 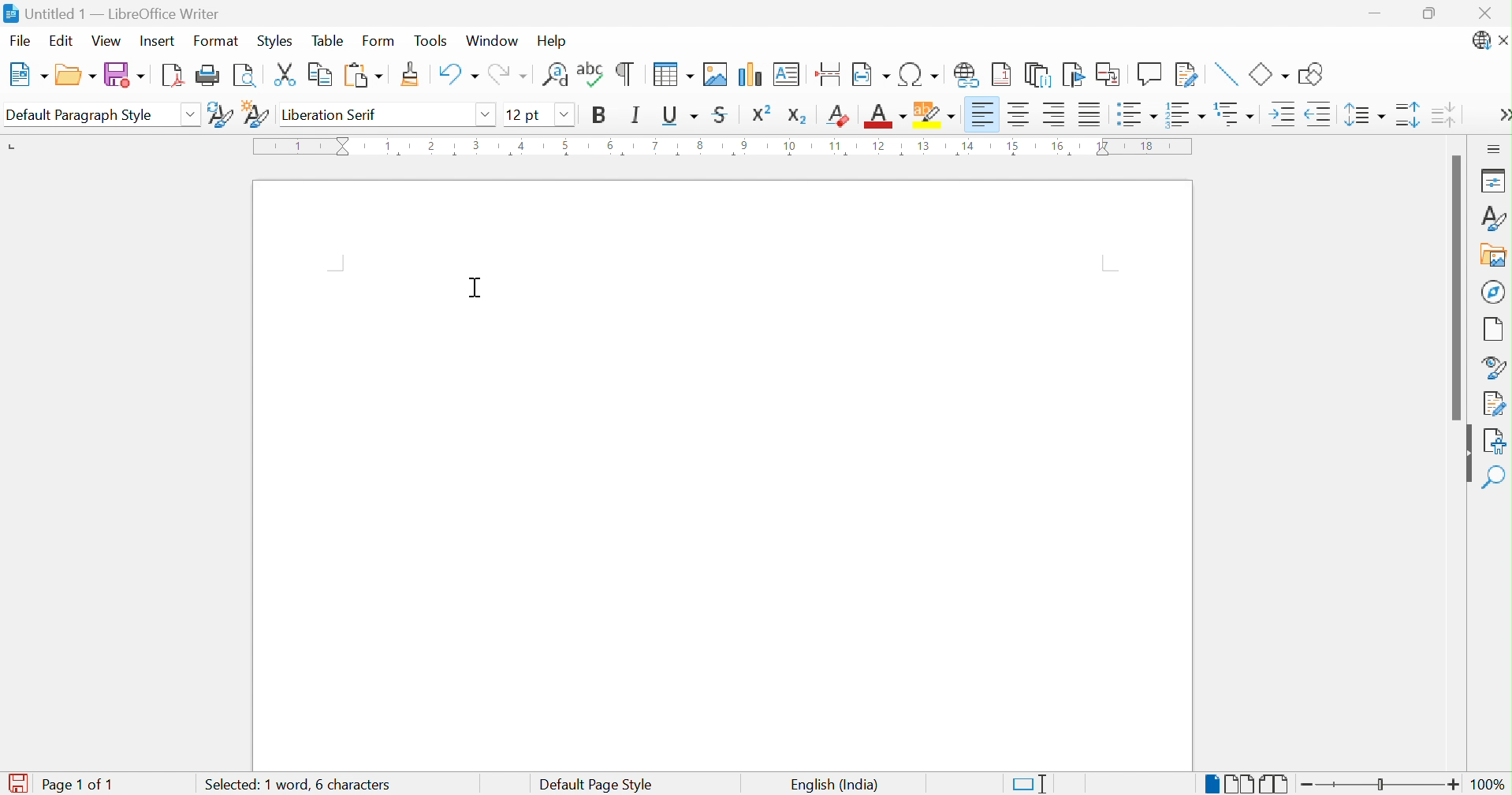 I want to click on Tools, so click(x=433, y=39).